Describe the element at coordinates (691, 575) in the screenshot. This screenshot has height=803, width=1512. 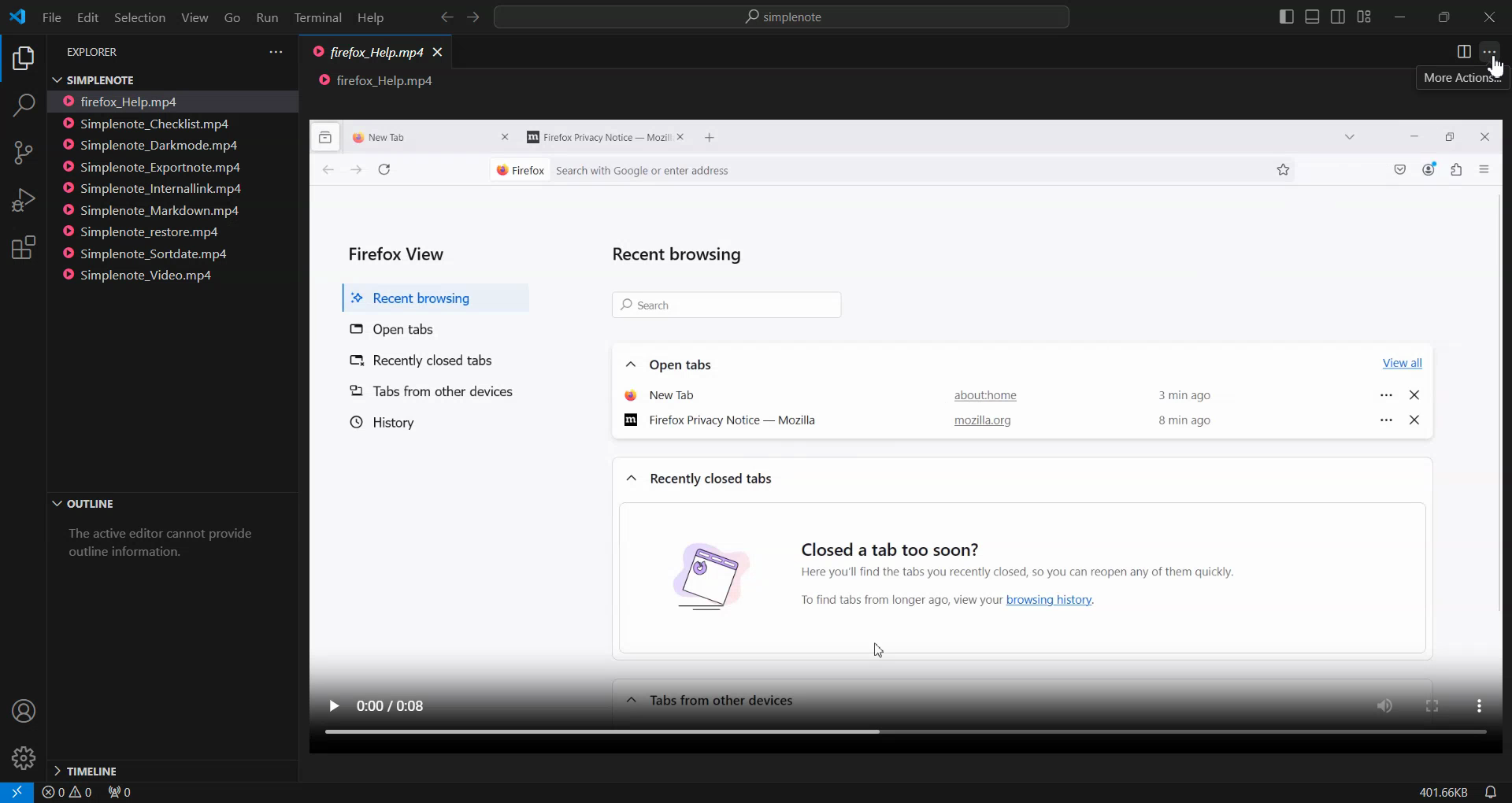
I see `browsing histry` at that location.